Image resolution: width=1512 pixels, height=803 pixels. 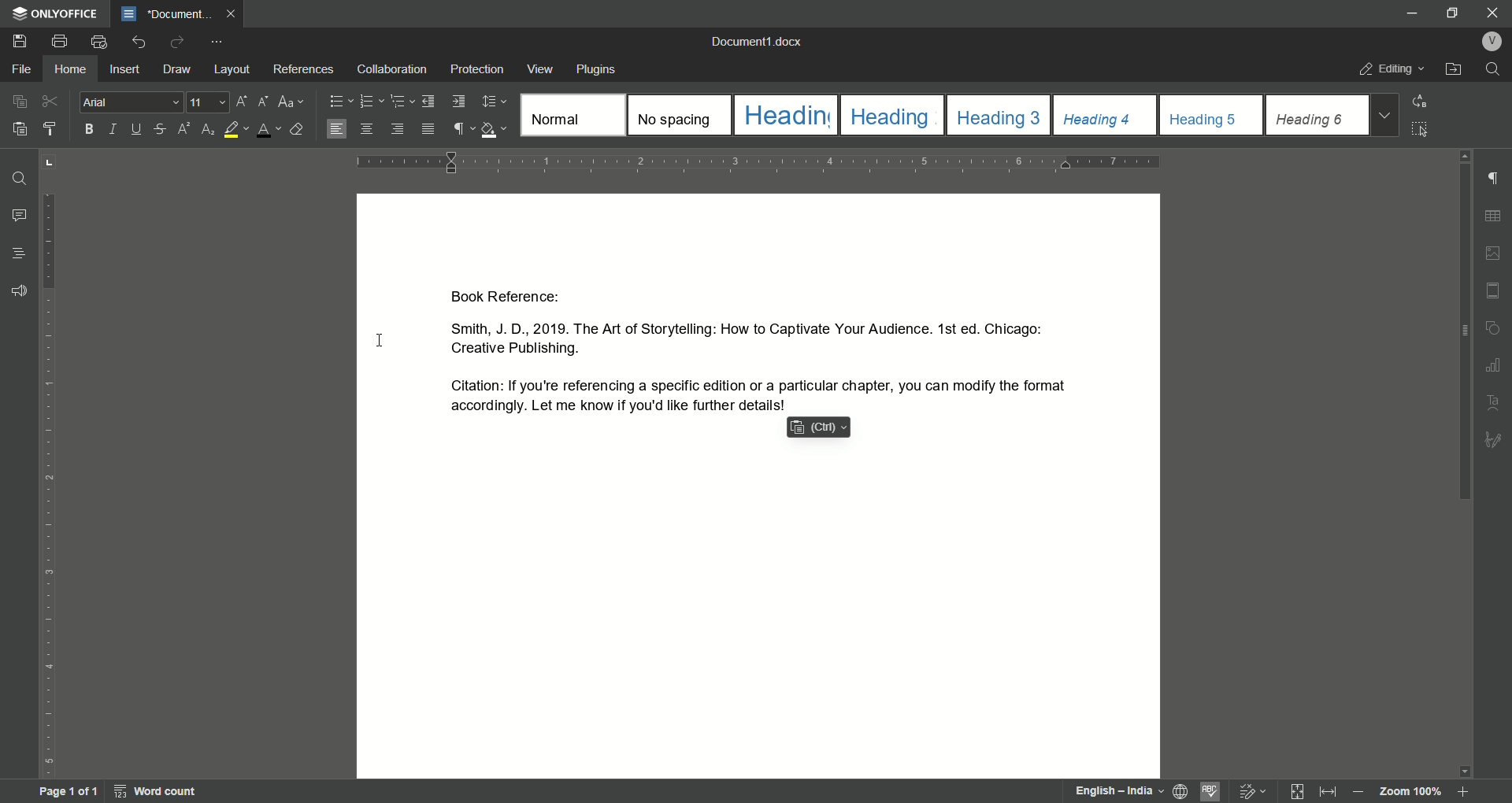 What do you see at coordinates (20, 100) in the screenshot?
I see `paste special` at bounding box center [20, 100].